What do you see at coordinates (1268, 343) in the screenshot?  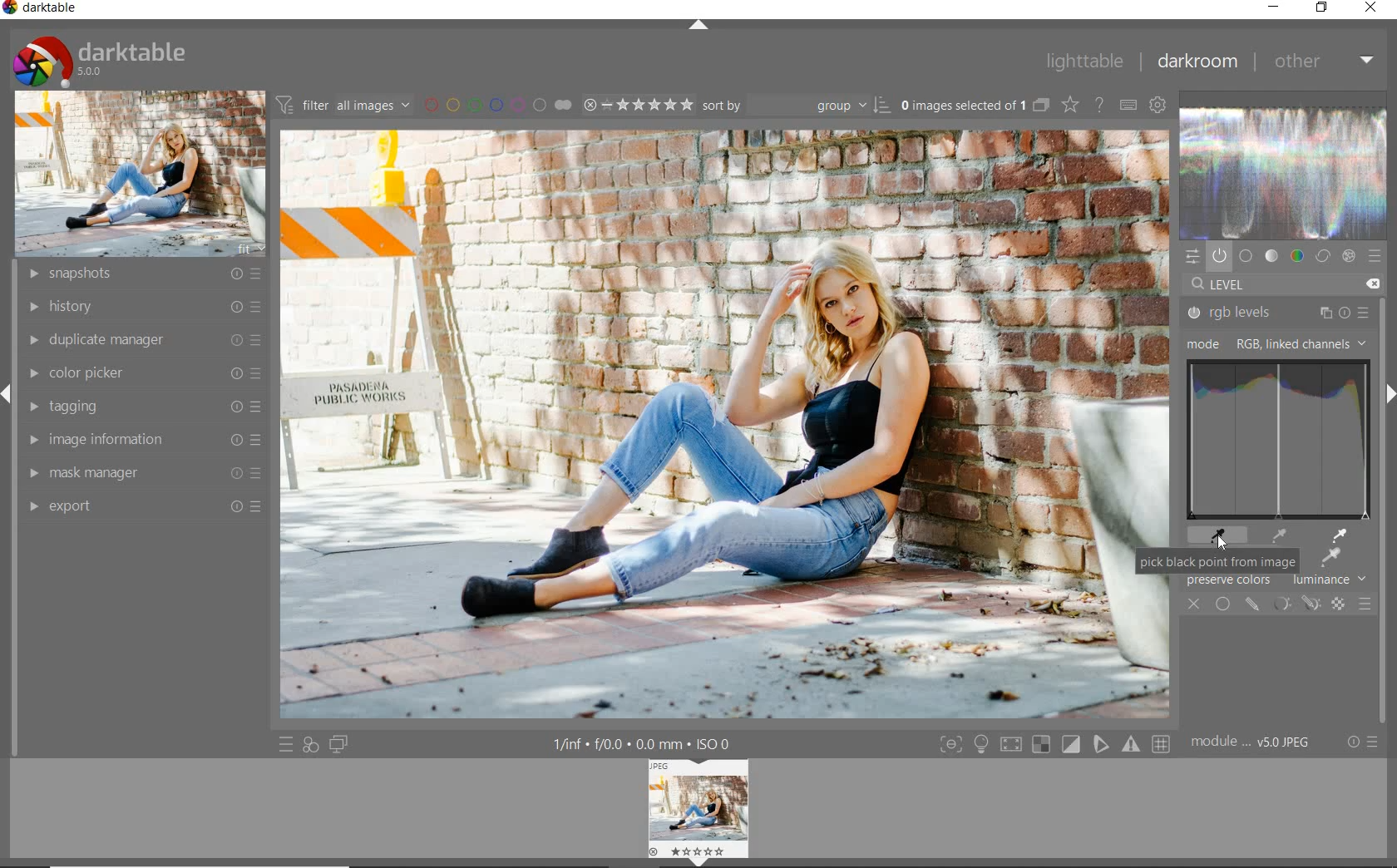 I see `mode: RGB, LINKED CHANNELS` at bounding box center [1268, 343].